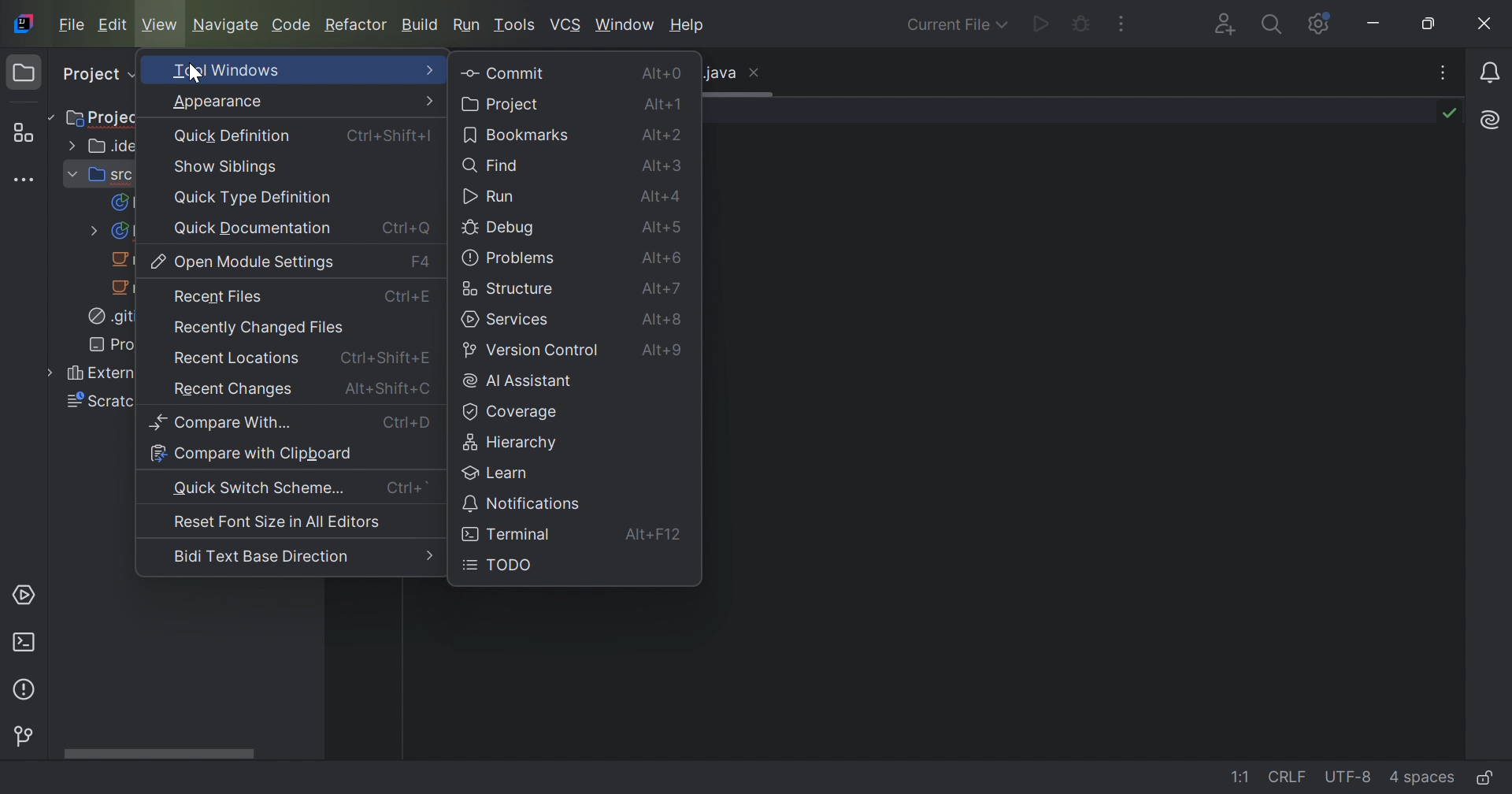 This screenshot has height=794, width=1512. Describe the element at coordinates (509, 534) in the screenshot. I see `` at that location.